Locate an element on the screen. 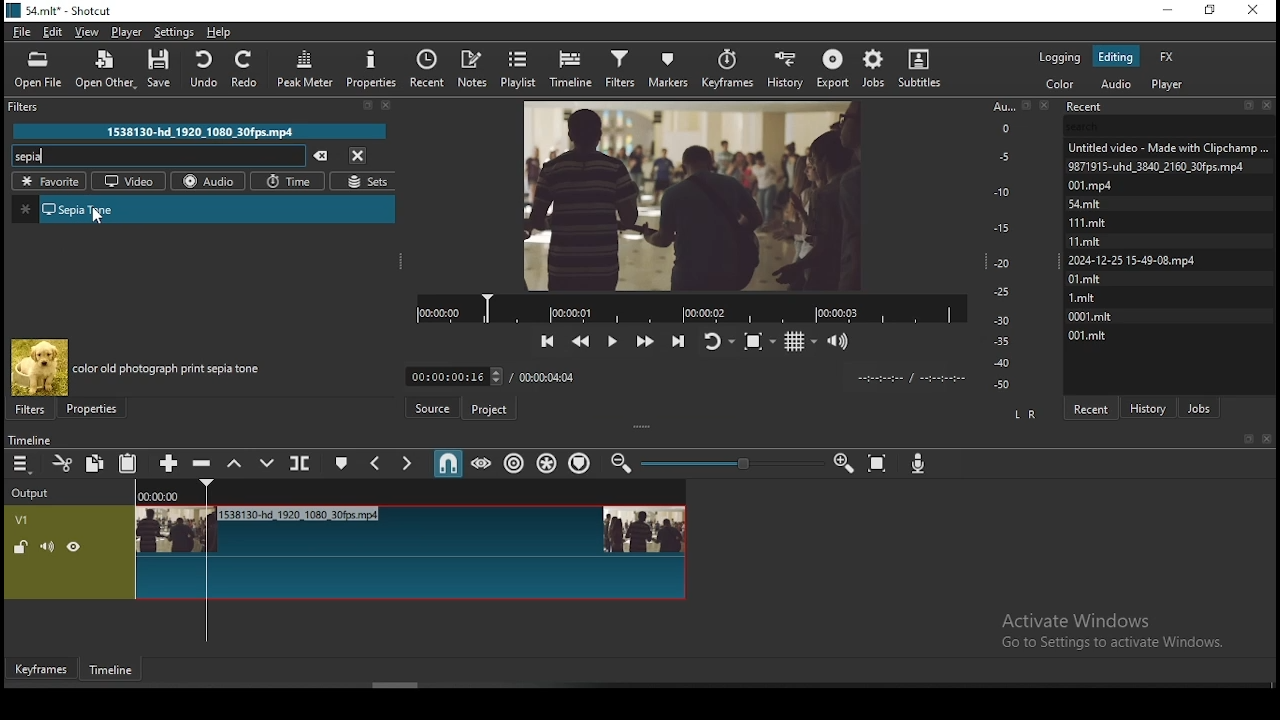 This screenshot has width=1280, height=720. logging is located at coordinates (1061, 57).